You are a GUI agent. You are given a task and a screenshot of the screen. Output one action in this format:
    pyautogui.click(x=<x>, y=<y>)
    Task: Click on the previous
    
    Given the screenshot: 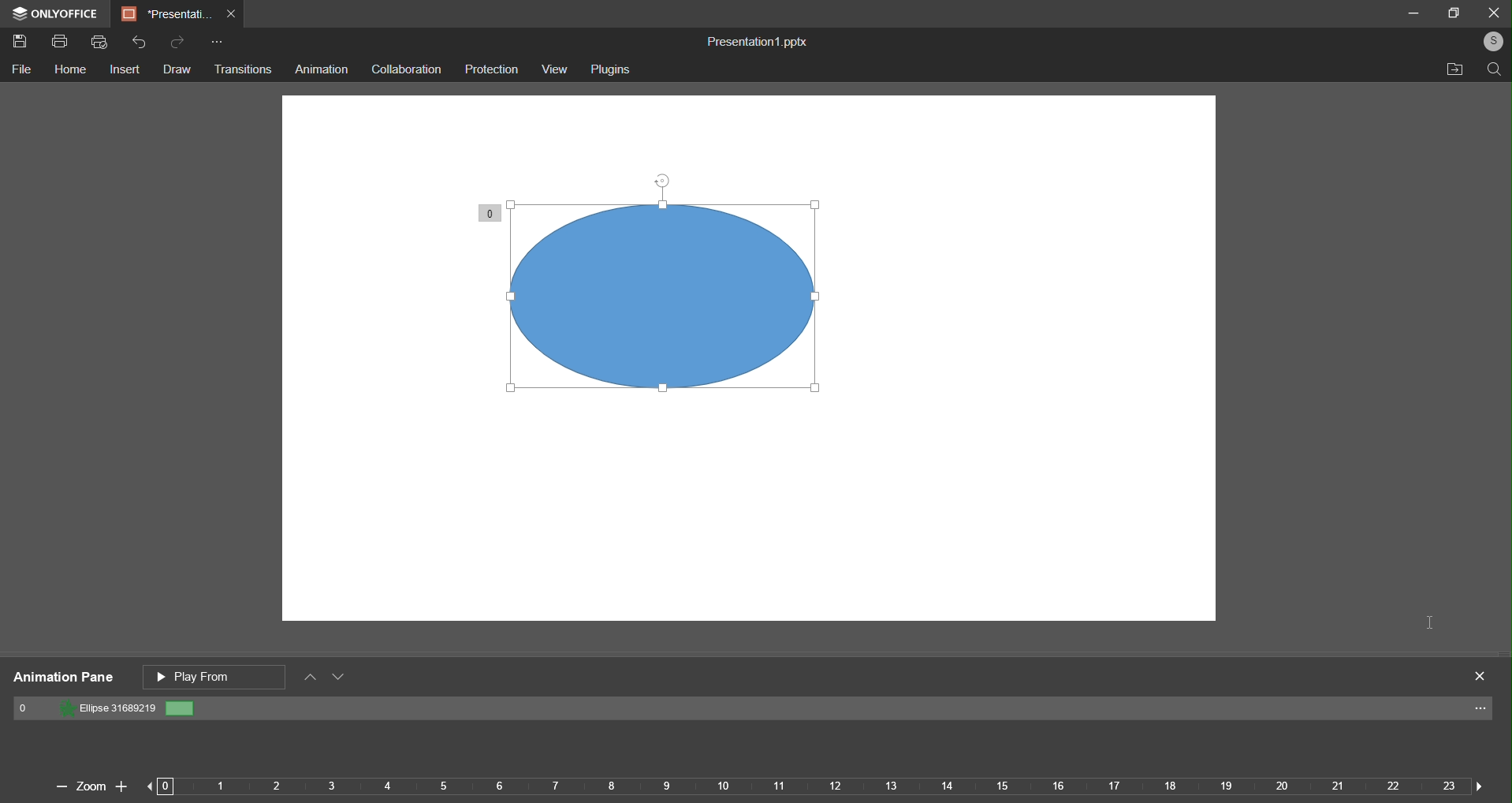 What is the action you would take?
    pyautogui.click(x=162, y=786)
    